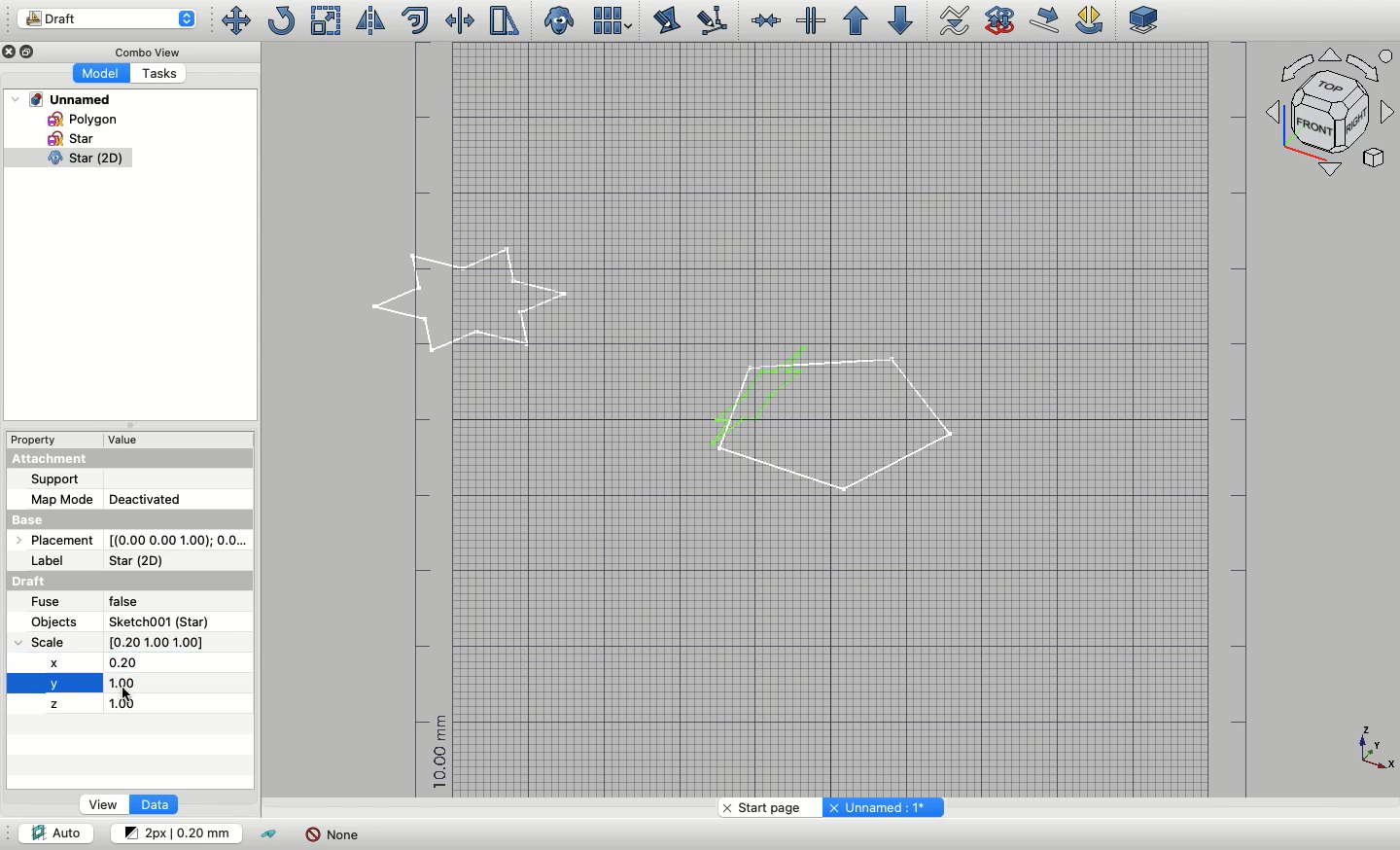  What do you see at coordinates (141, 706) in the screenshot?
I see `1.00` at bounding box center [141, 706].